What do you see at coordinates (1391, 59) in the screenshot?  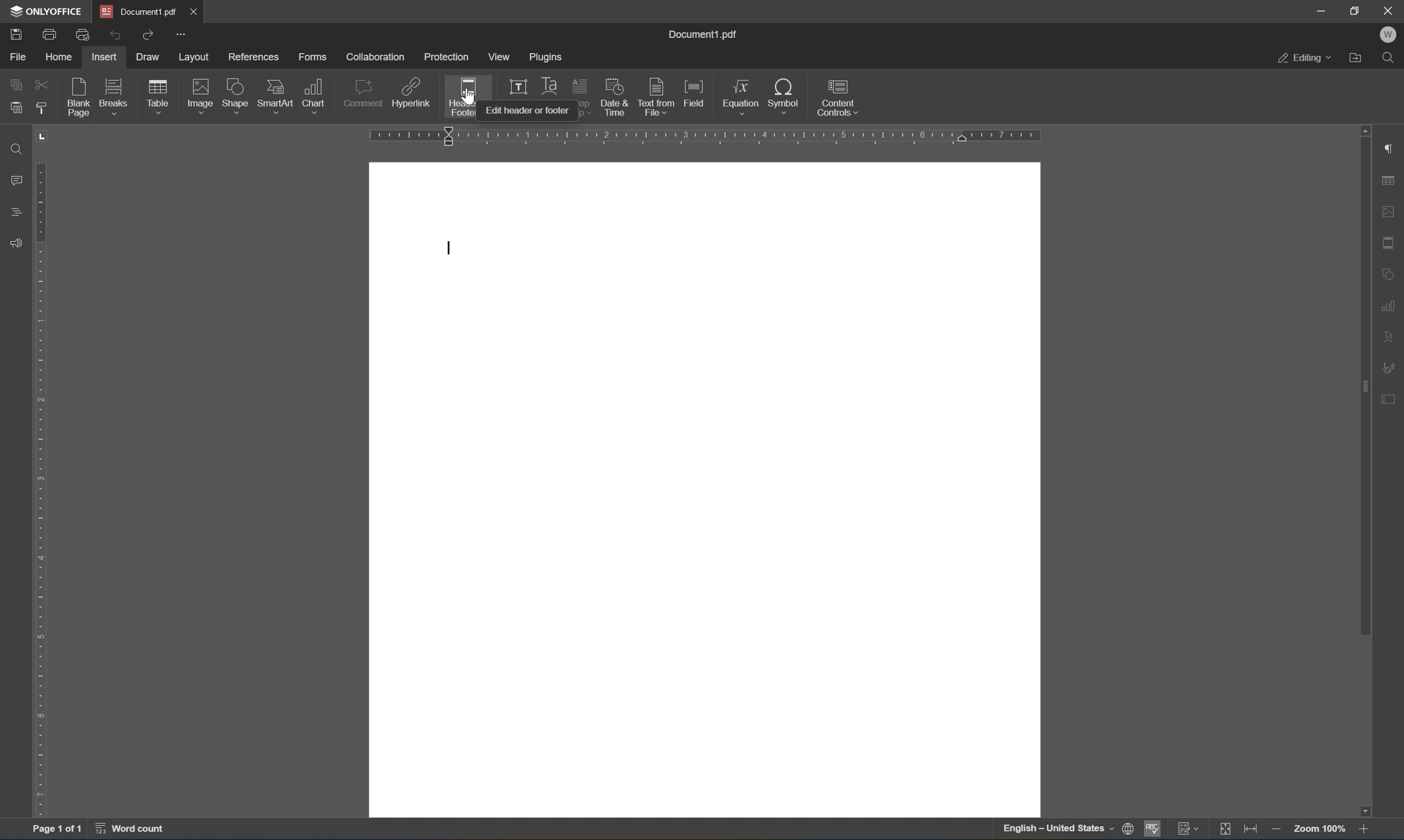 I see `find` at bounding box center [1391, 59].